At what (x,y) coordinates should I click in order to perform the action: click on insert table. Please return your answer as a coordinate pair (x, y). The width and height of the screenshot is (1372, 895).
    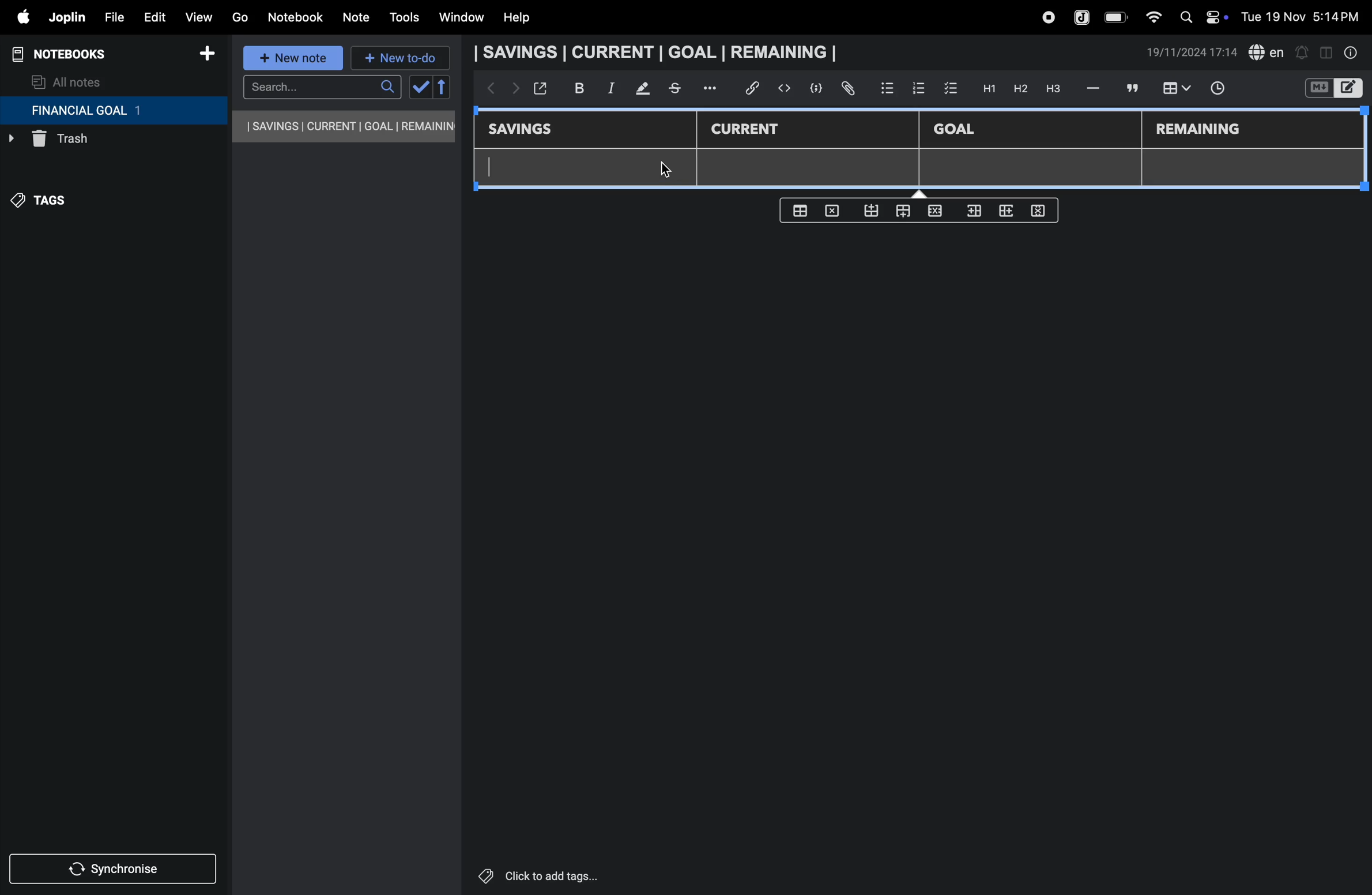
    Looking at the image, I should click on (1174, 89).